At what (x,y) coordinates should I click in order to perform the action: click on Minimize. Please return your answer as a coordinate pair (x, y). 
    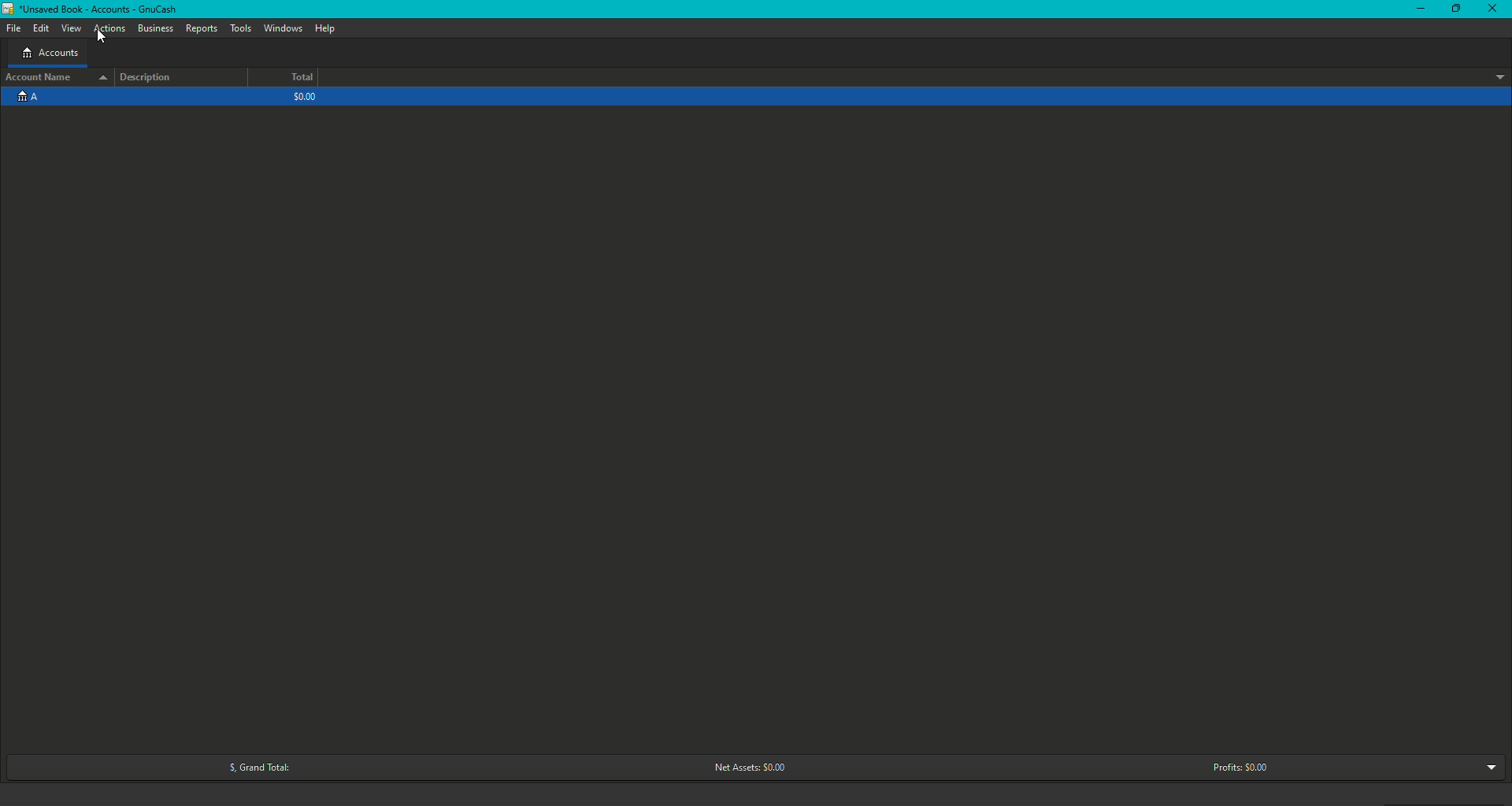
    Looking at the image, I should click on (1417, 8).